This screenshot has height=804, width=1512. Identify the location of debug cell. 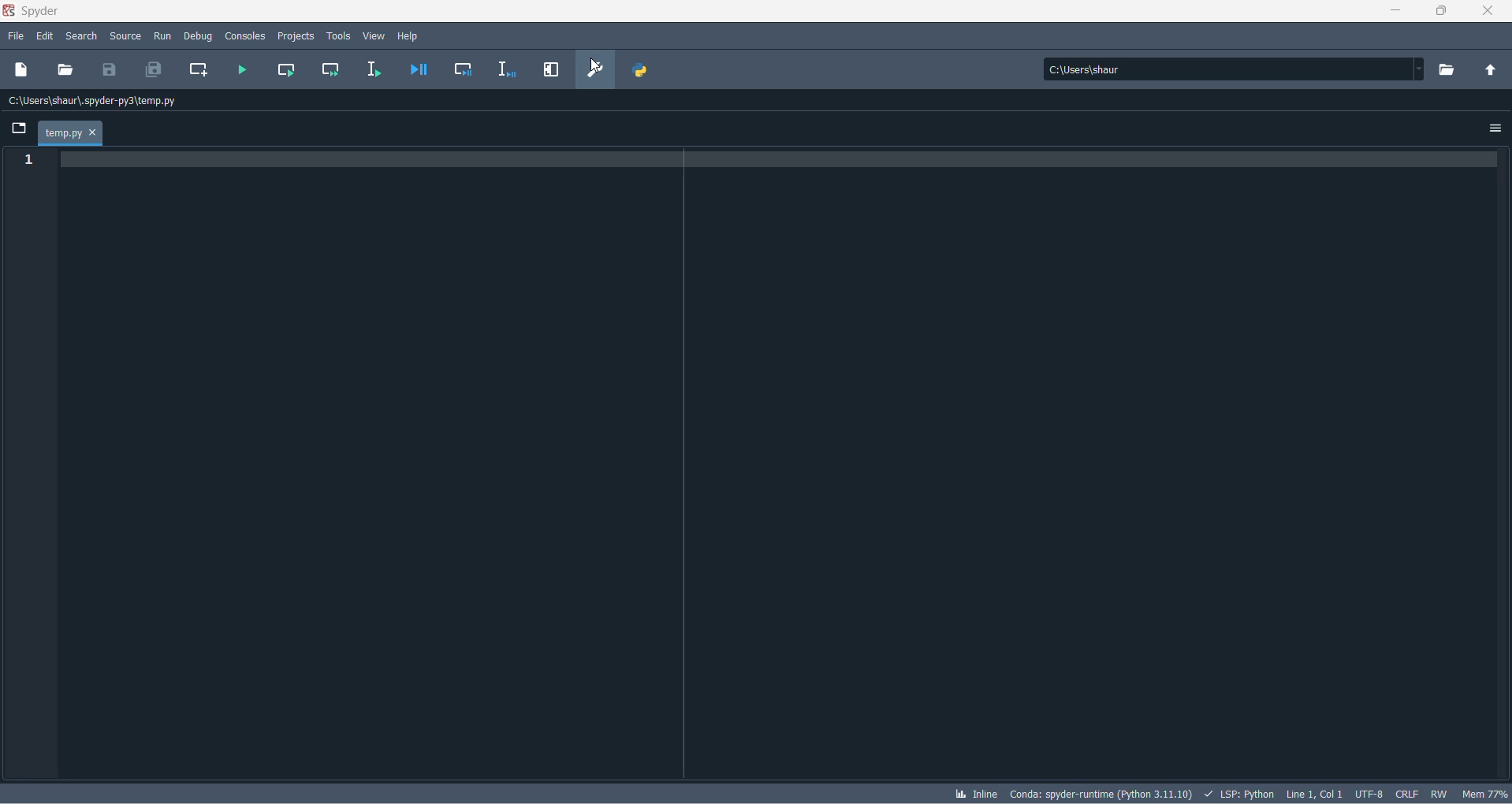
(464, 71).